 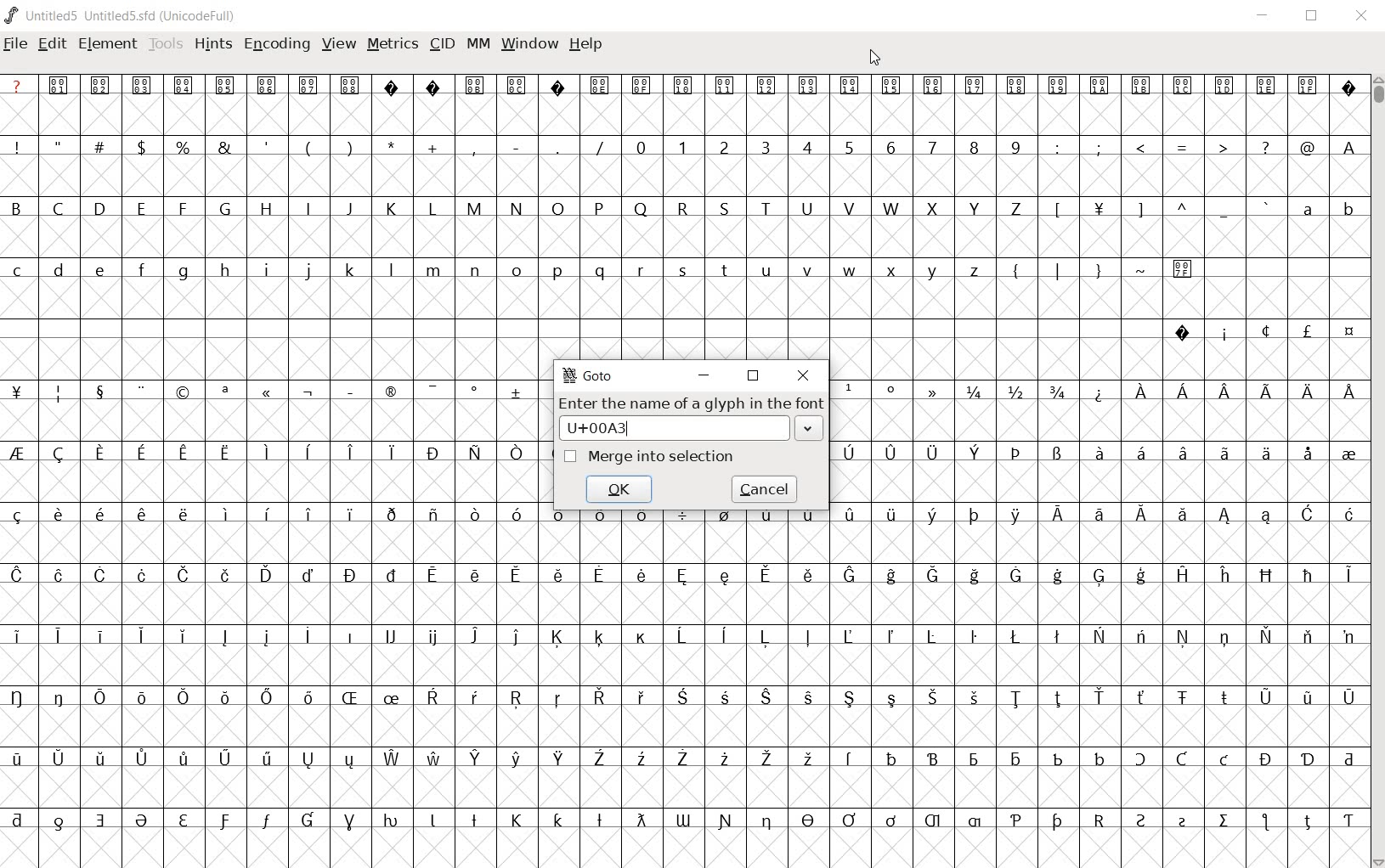 What do you see at coordinates (1143, 391) in the screenshot?
I see `Symbol` at bounding box center [1143, 391].